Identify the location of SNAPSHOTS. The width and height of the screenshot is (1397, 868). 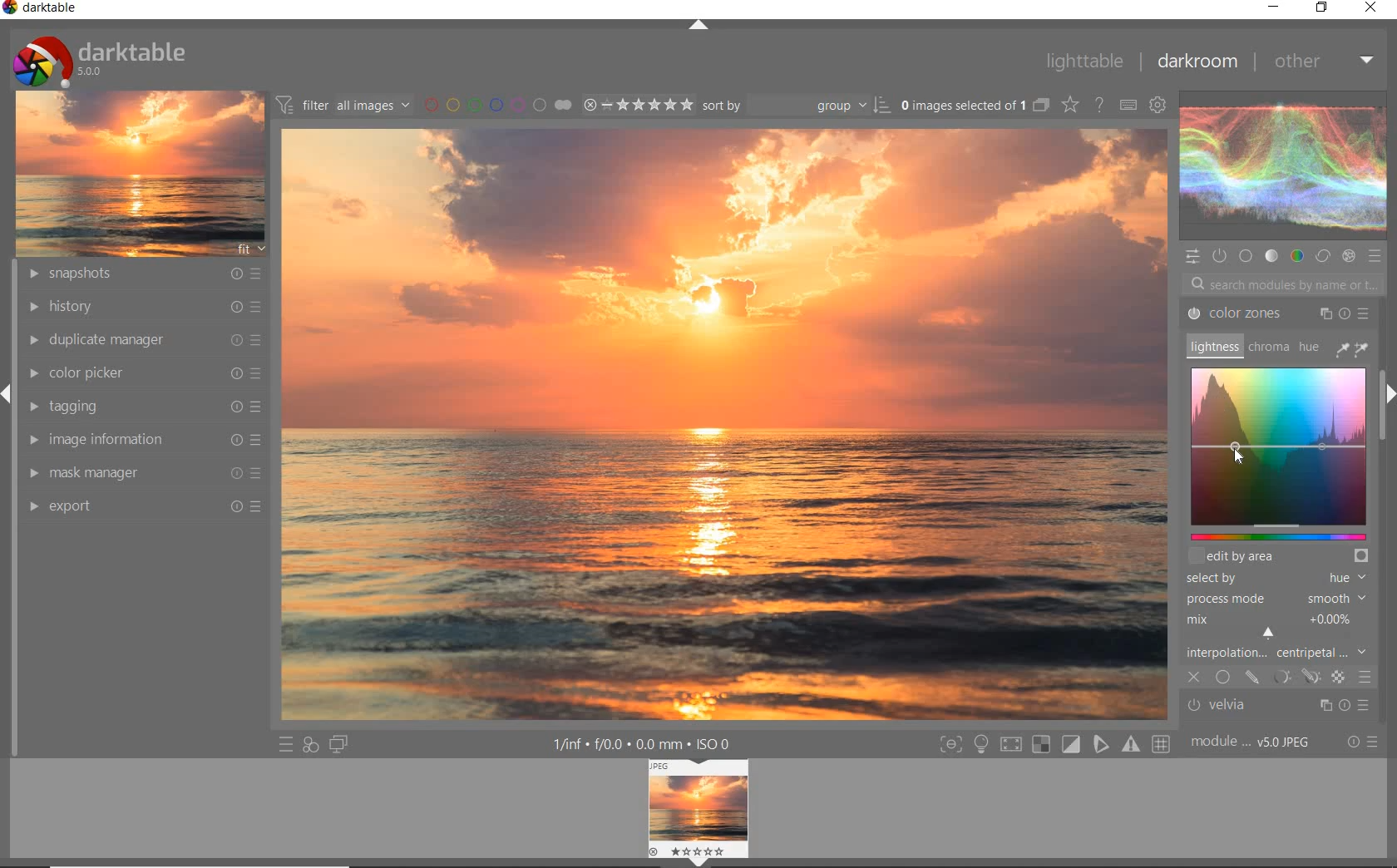
(143, 274).